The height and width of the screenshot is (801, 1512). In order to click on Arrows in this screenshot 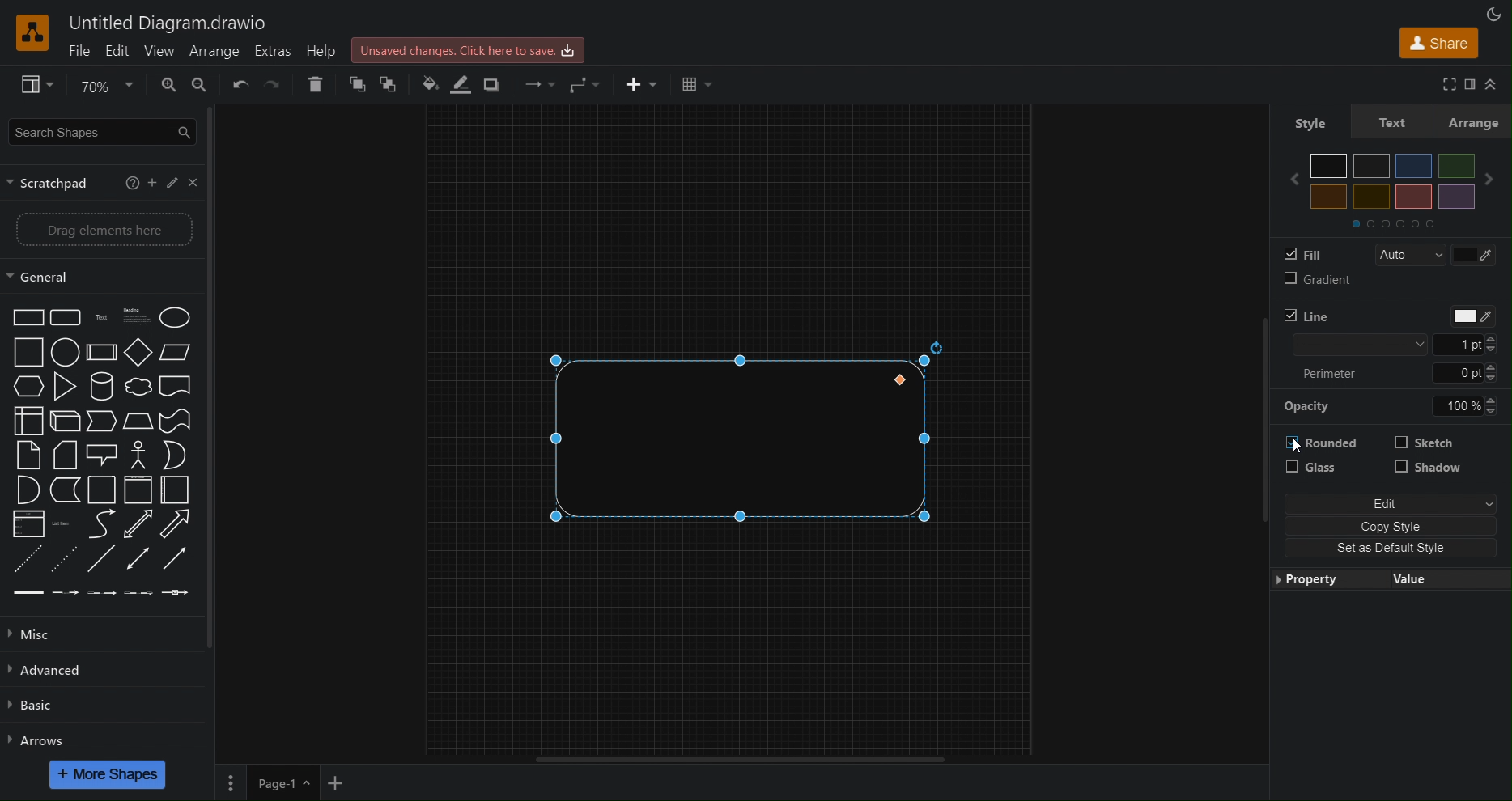, I will do `click(41, 740)`.